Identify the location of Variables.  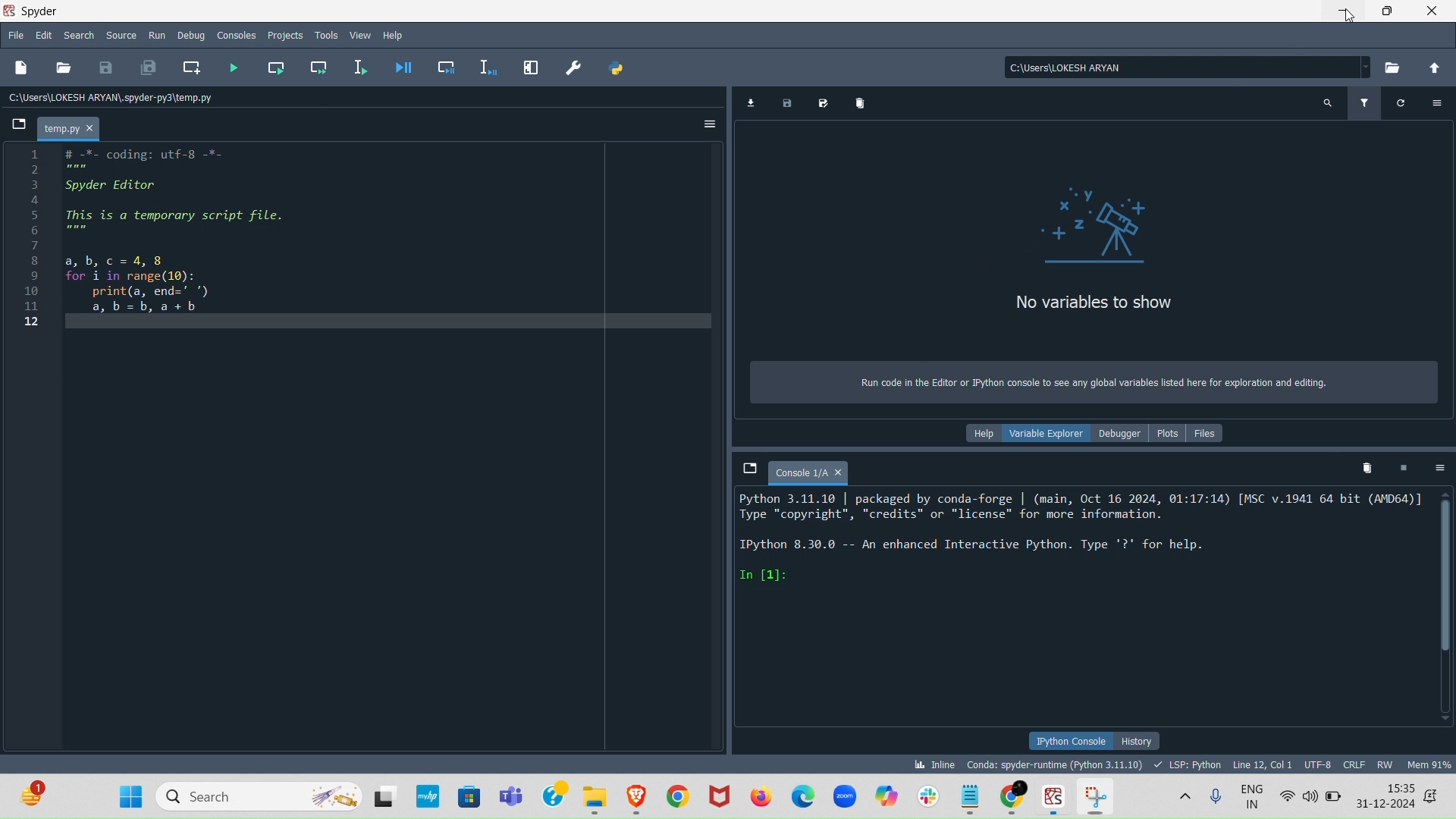
(1092, 254).